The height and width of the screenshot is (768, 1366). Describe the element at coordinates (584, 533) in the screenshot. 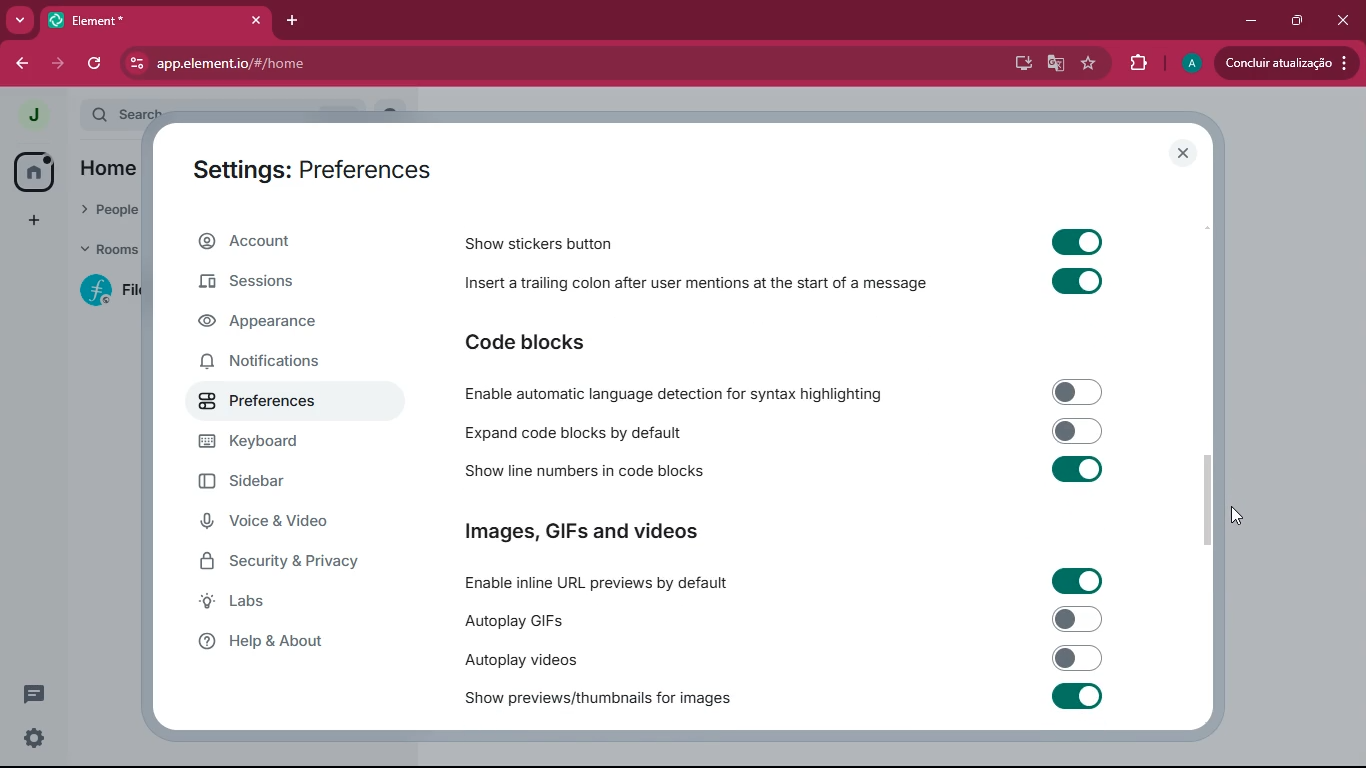

I see `images ` at that location.